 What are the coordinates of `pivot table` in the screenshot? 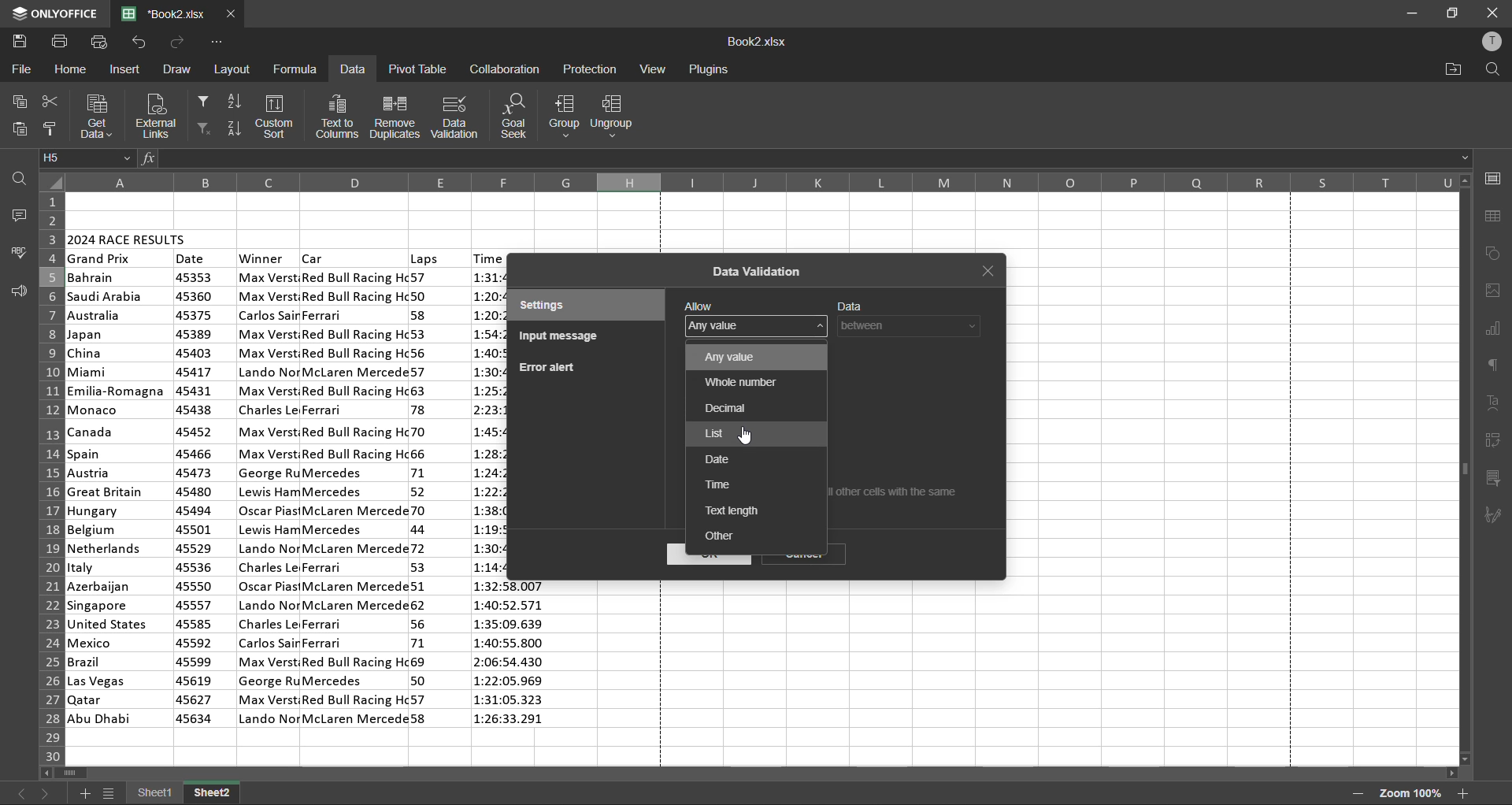 It's located at (416, 69).